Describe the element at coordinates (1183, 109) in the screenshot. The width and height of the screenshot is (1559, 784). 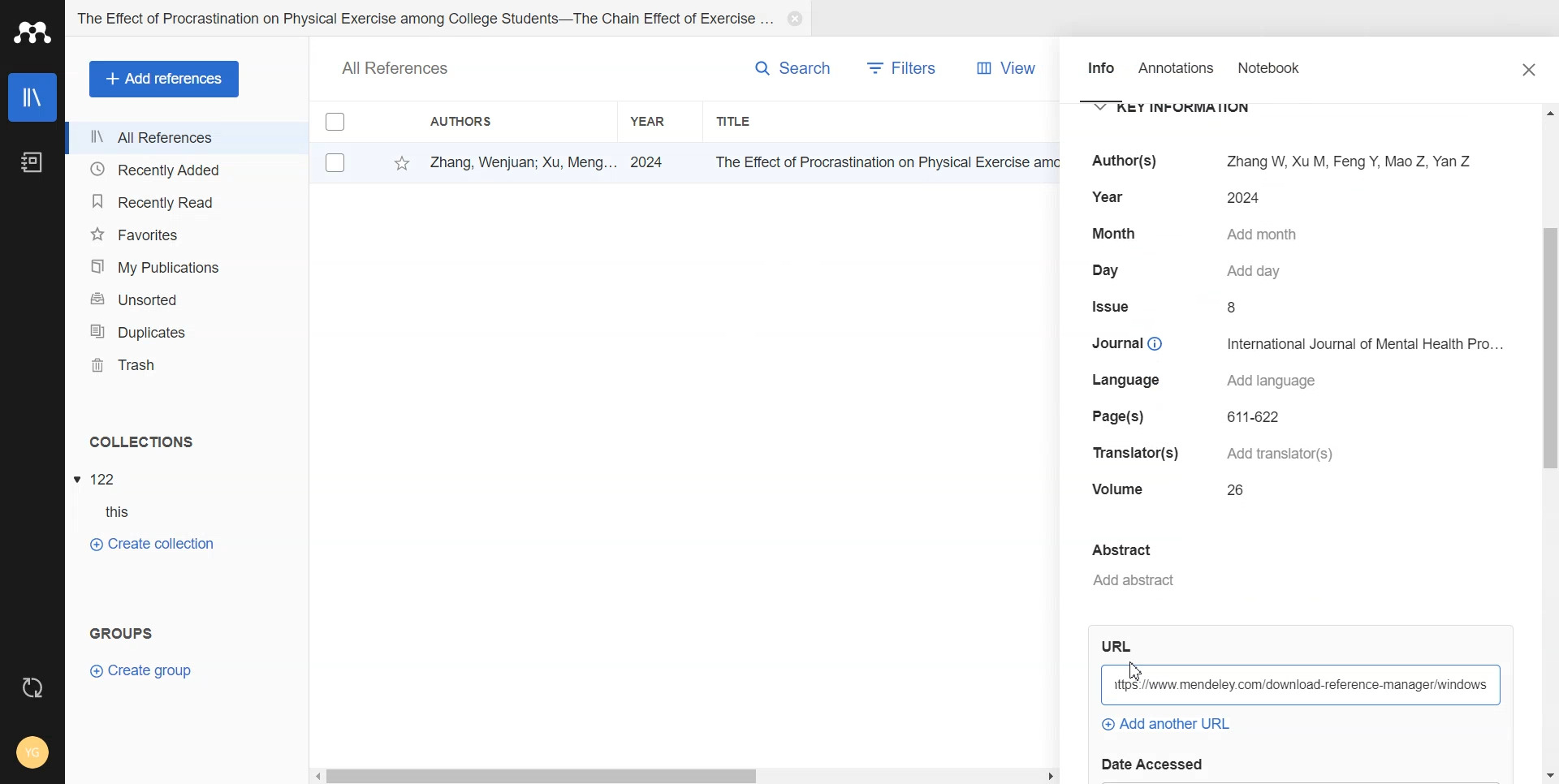
I see `Key Information` at that location.